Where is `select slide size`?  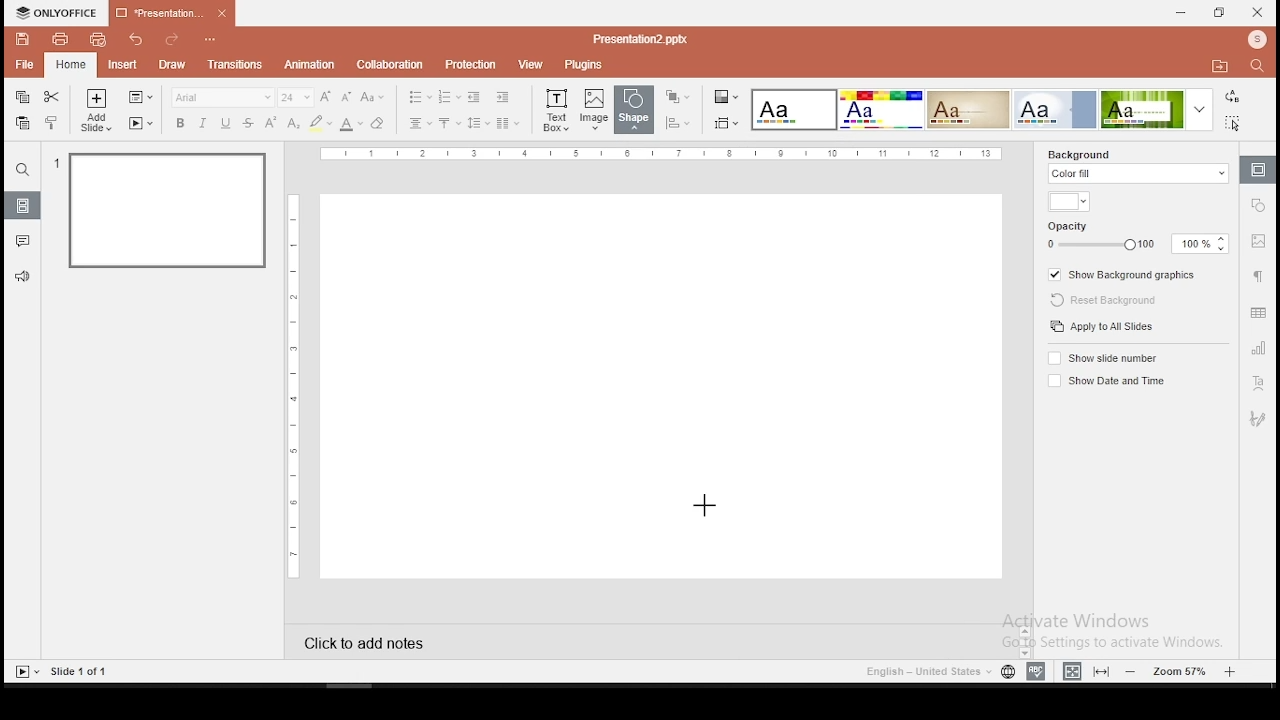
select slide size is located at coordinates (726, 123).